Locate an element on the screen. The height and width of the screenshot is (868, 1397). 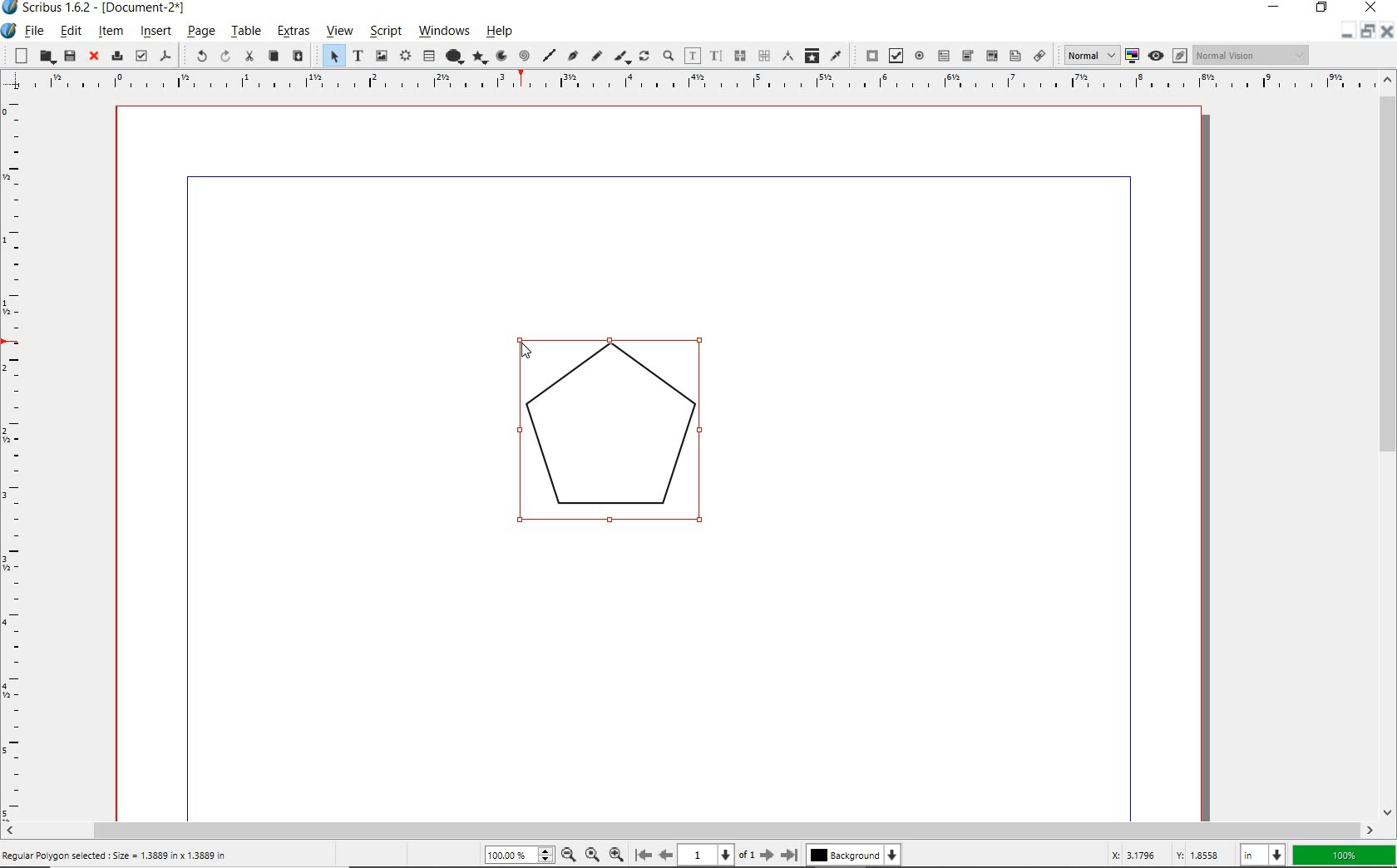
toggle color is located at coordinates (1133, 55).